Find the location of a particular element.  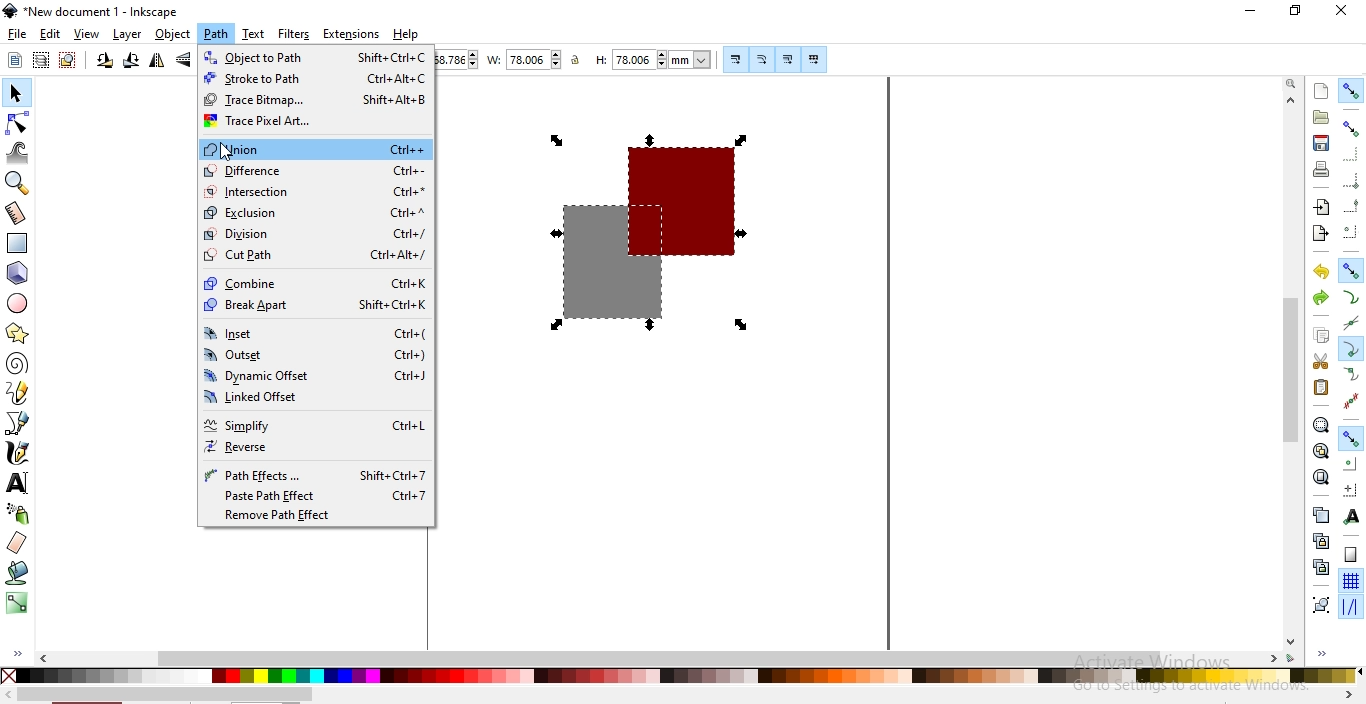

move gradient along with objects is located at coordinates (788, 60).